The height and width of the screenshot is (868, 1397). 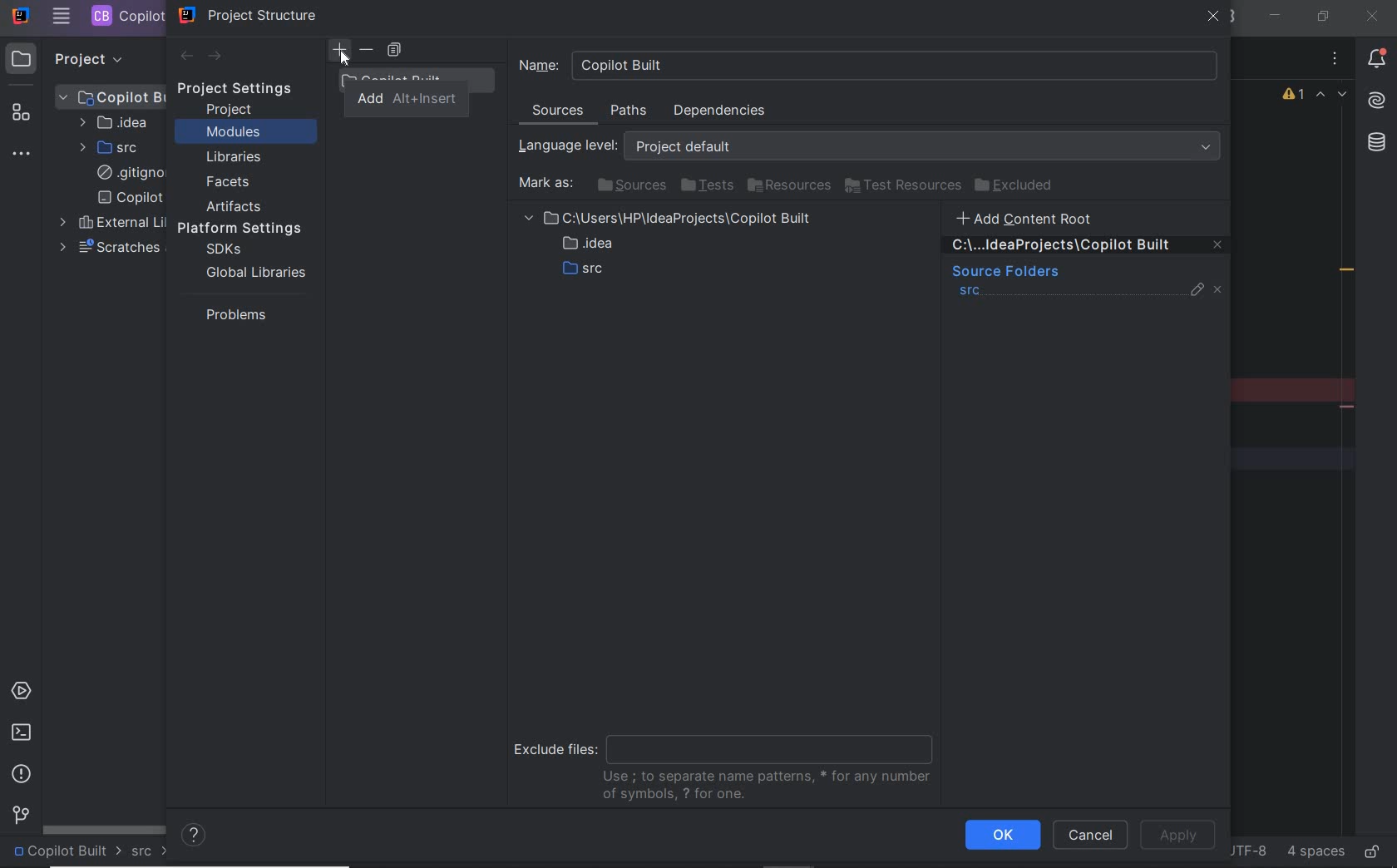 What do you see at coordinates (1221, 290) in the screenshot?
I see `unmark source` at bounding box center [1221, 290].